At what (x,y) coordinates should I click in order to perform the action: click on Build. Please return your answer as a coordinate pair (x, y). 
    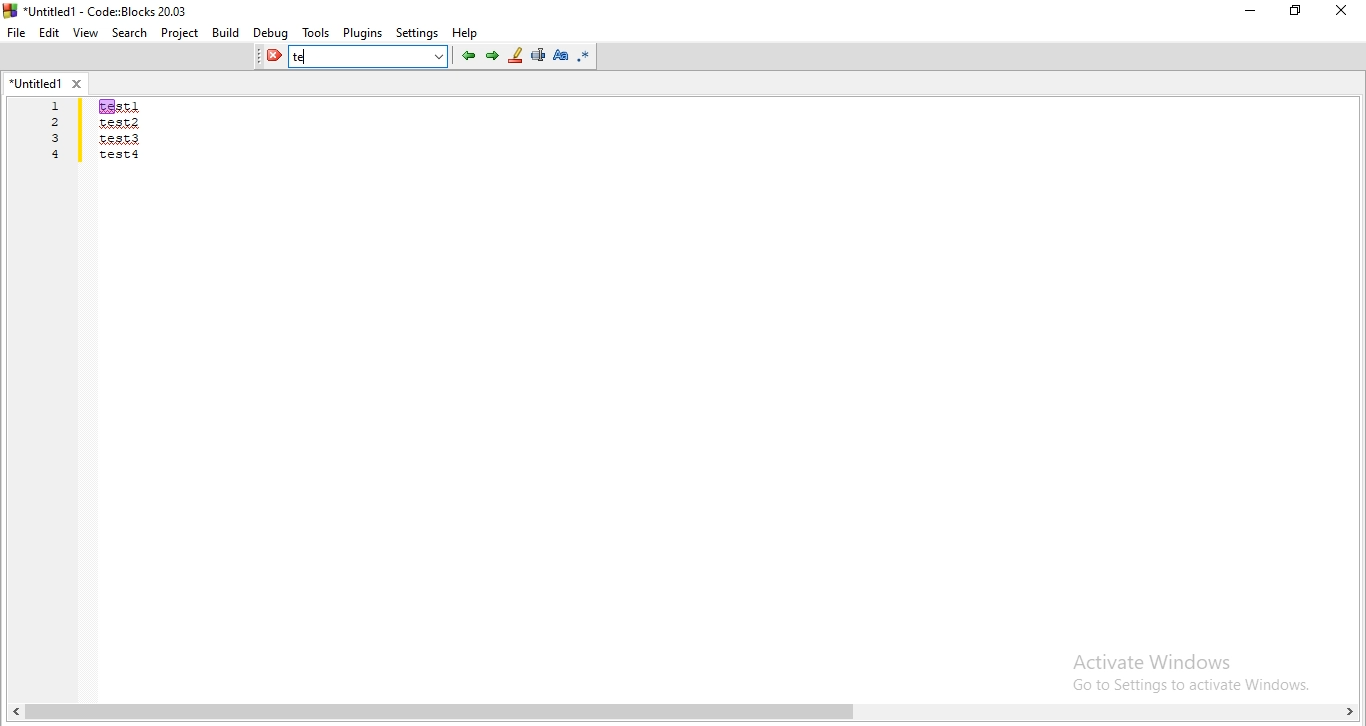
    Looking at the image, I should click on (225, 33).